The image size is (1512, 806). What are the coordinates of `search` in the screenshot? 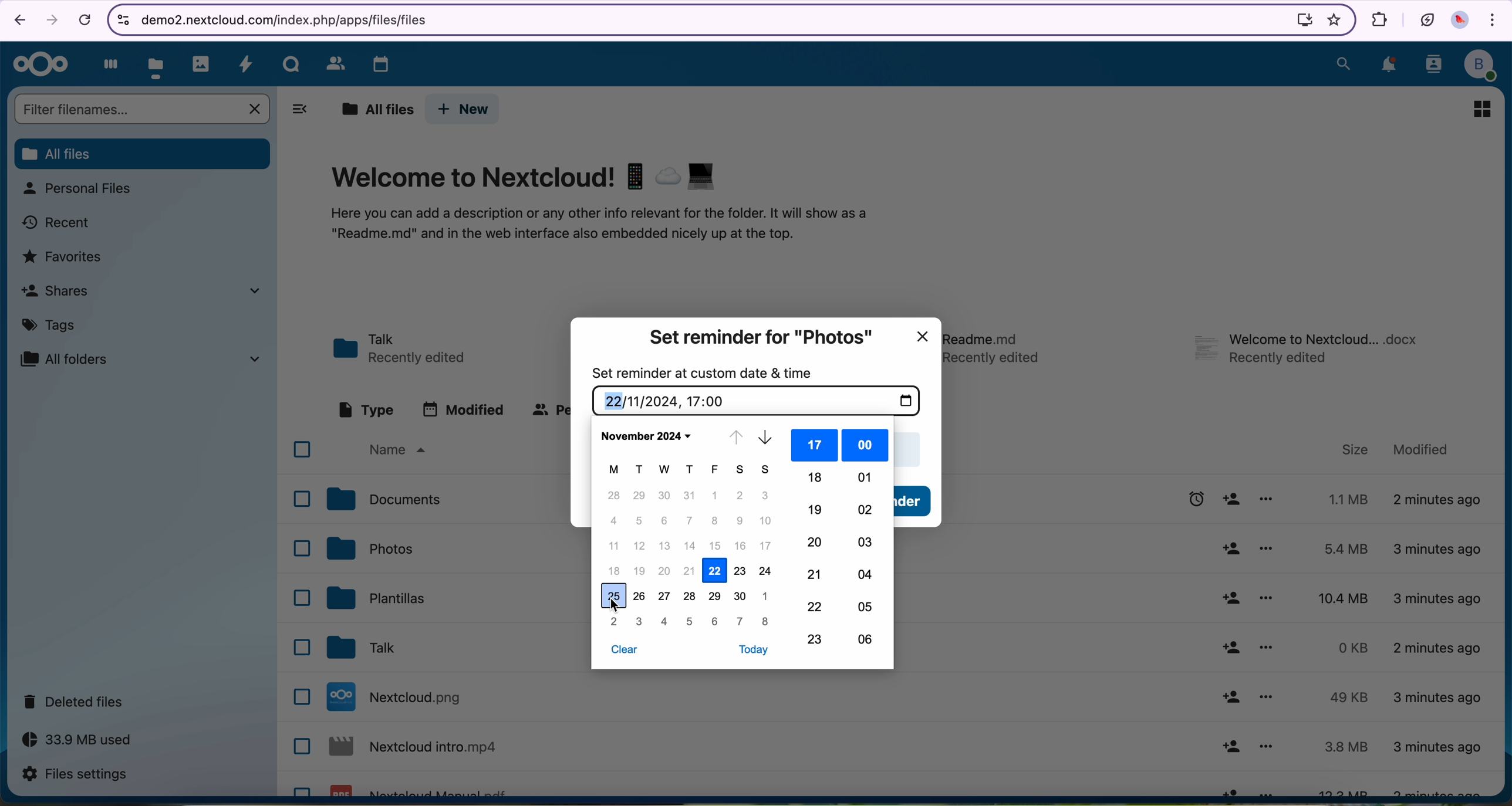 It's located at (1342, 63).